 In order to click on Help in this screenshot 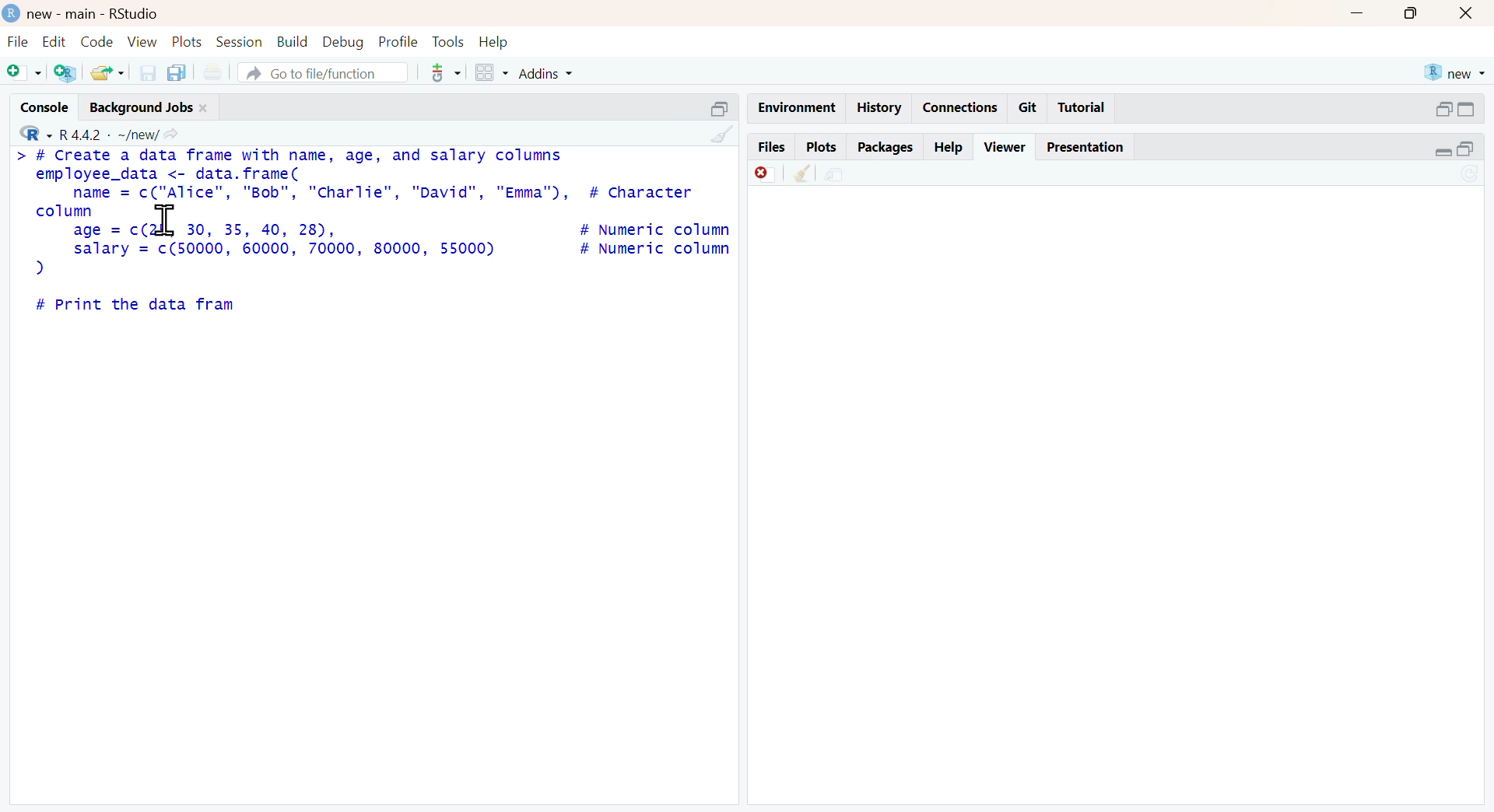, I will do `click(497, 41)`.